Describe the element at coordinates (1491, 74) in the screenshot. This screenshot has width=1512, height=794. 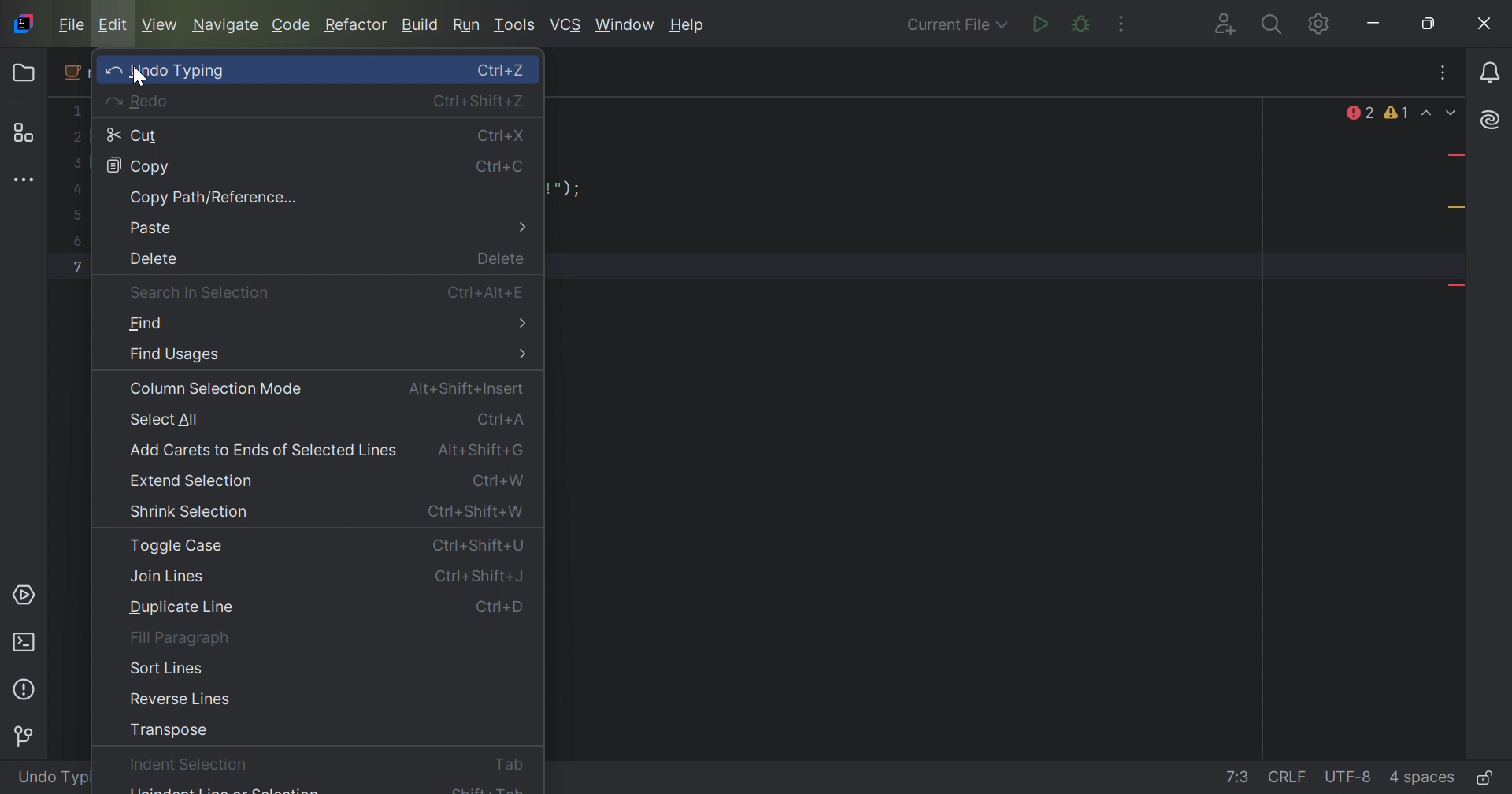
I see `Notifications` at that location.